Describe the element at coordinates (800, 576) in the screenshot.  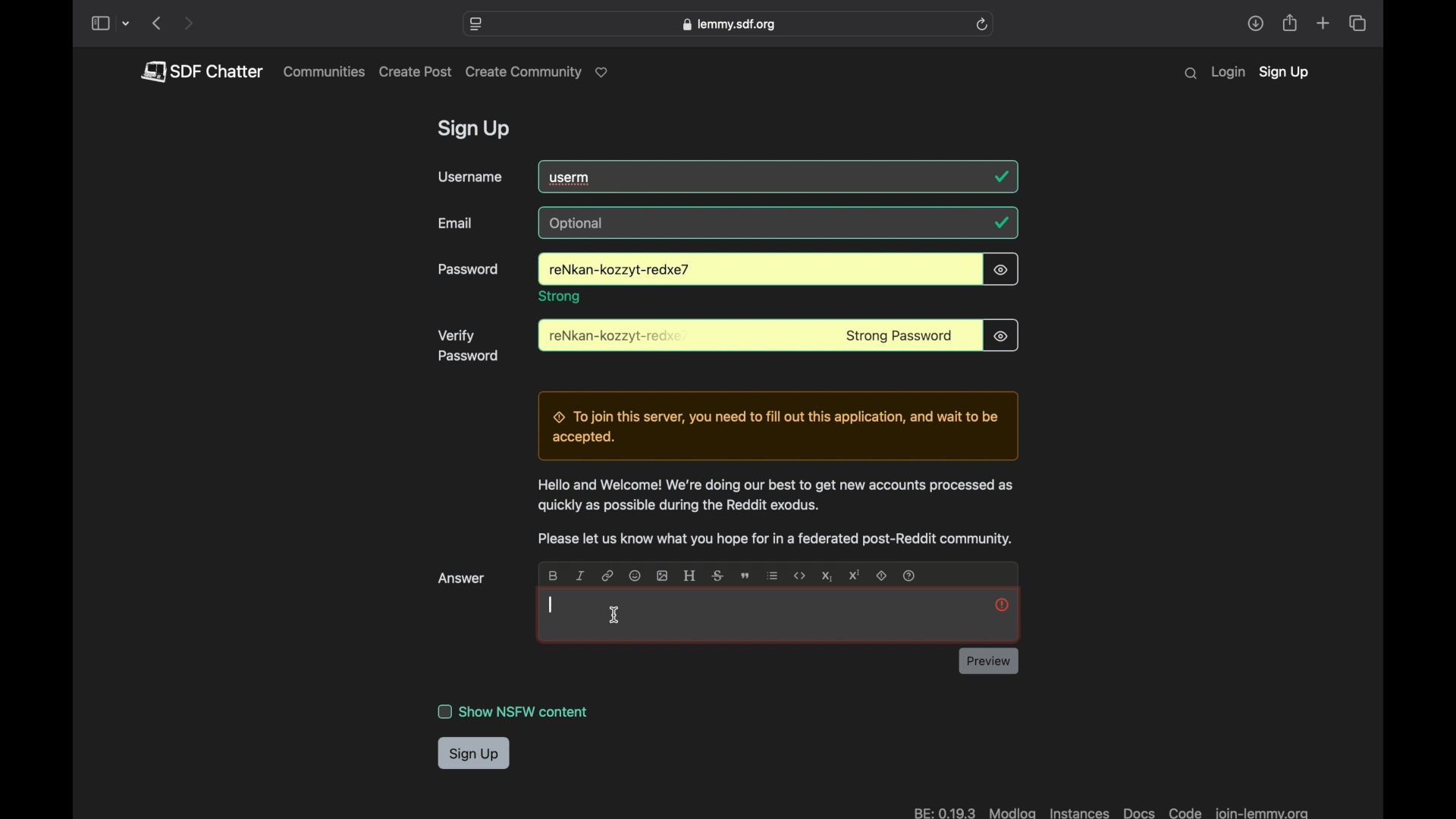
I see `code` at that location.